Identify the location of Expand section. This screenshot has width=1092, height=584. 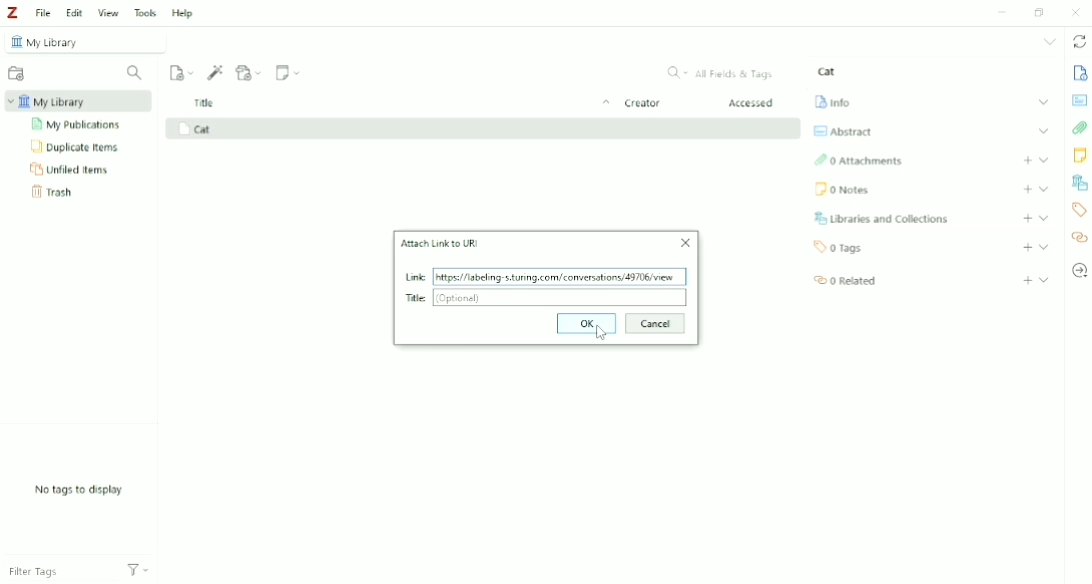
(1044, 159).